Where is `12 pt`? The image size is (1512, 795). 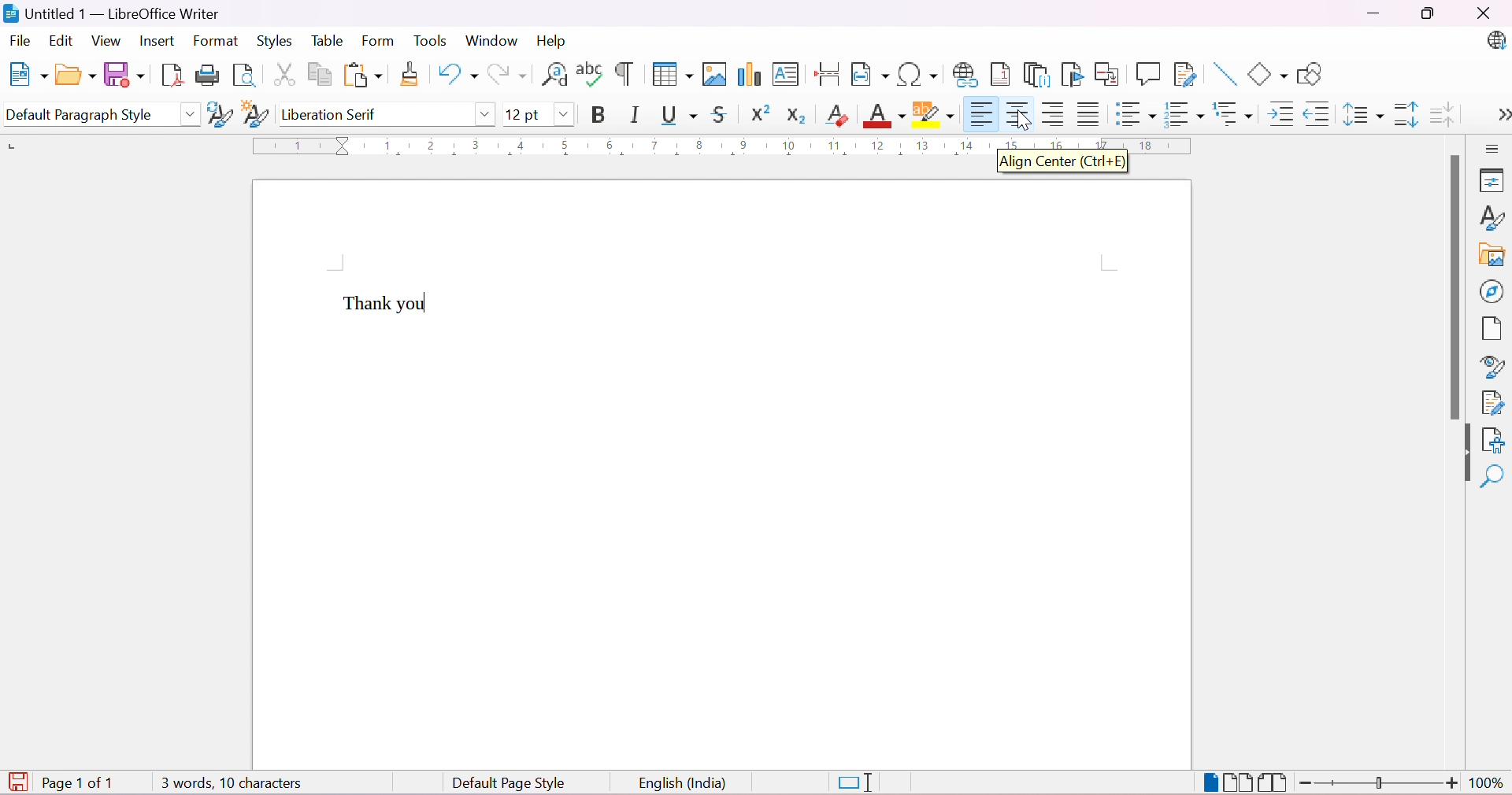
12 pt is located at coordinates (522, 113).